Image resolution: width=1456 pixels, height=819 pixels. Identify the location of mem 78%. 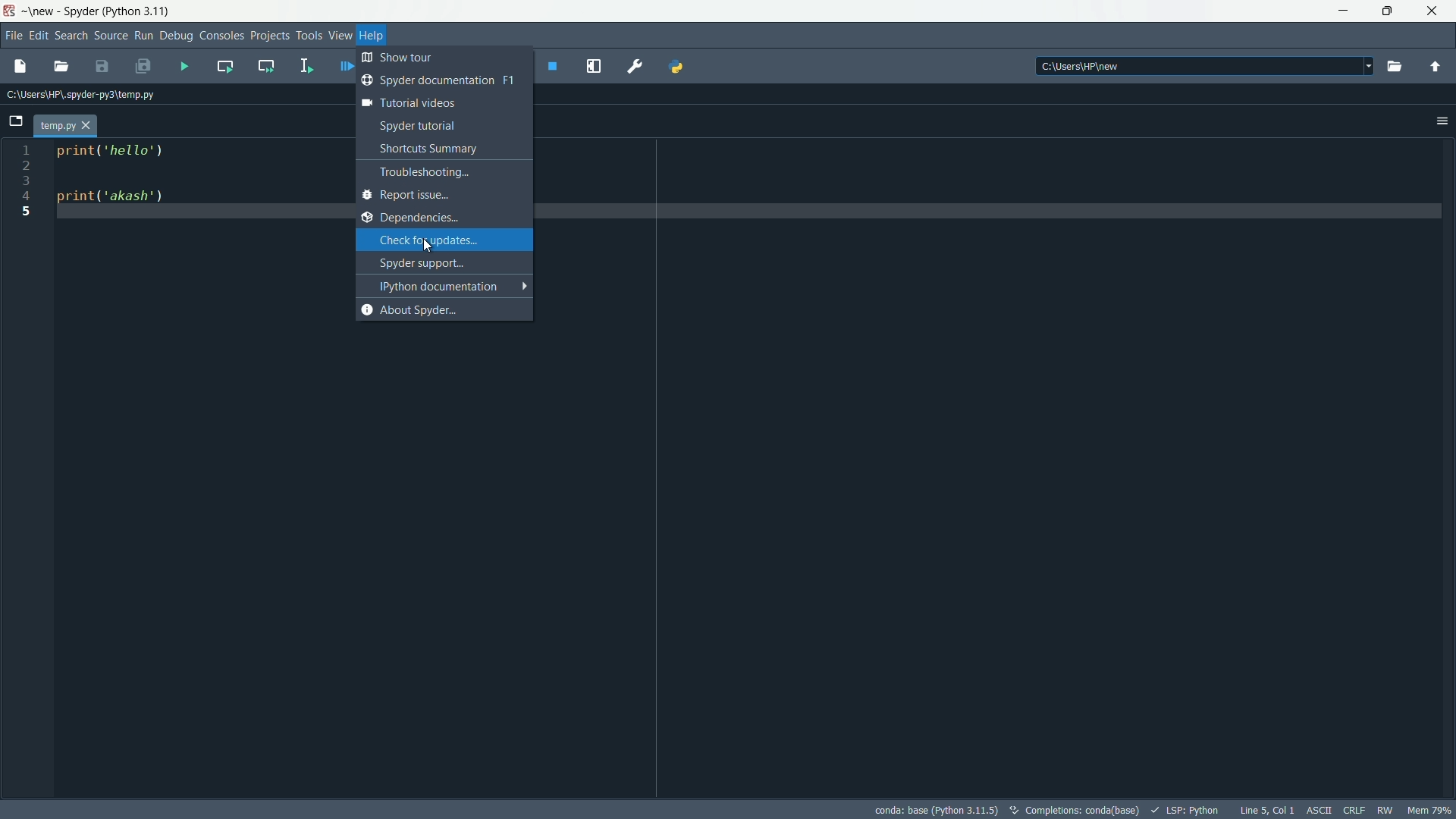
(1429, 808).